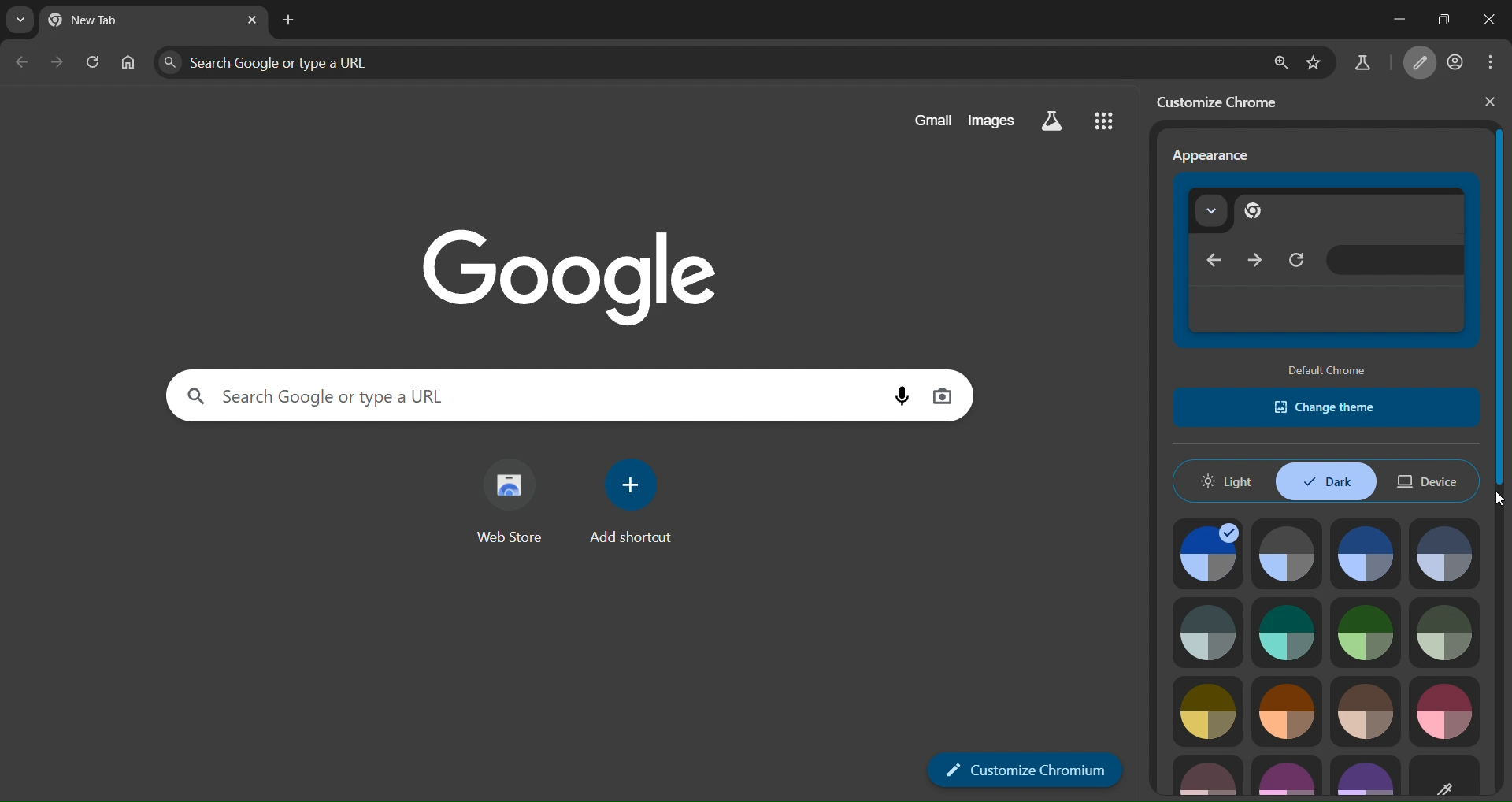 The height and width of the screenshot is (802, 1512). I want to click on image search, so click(946, 395).